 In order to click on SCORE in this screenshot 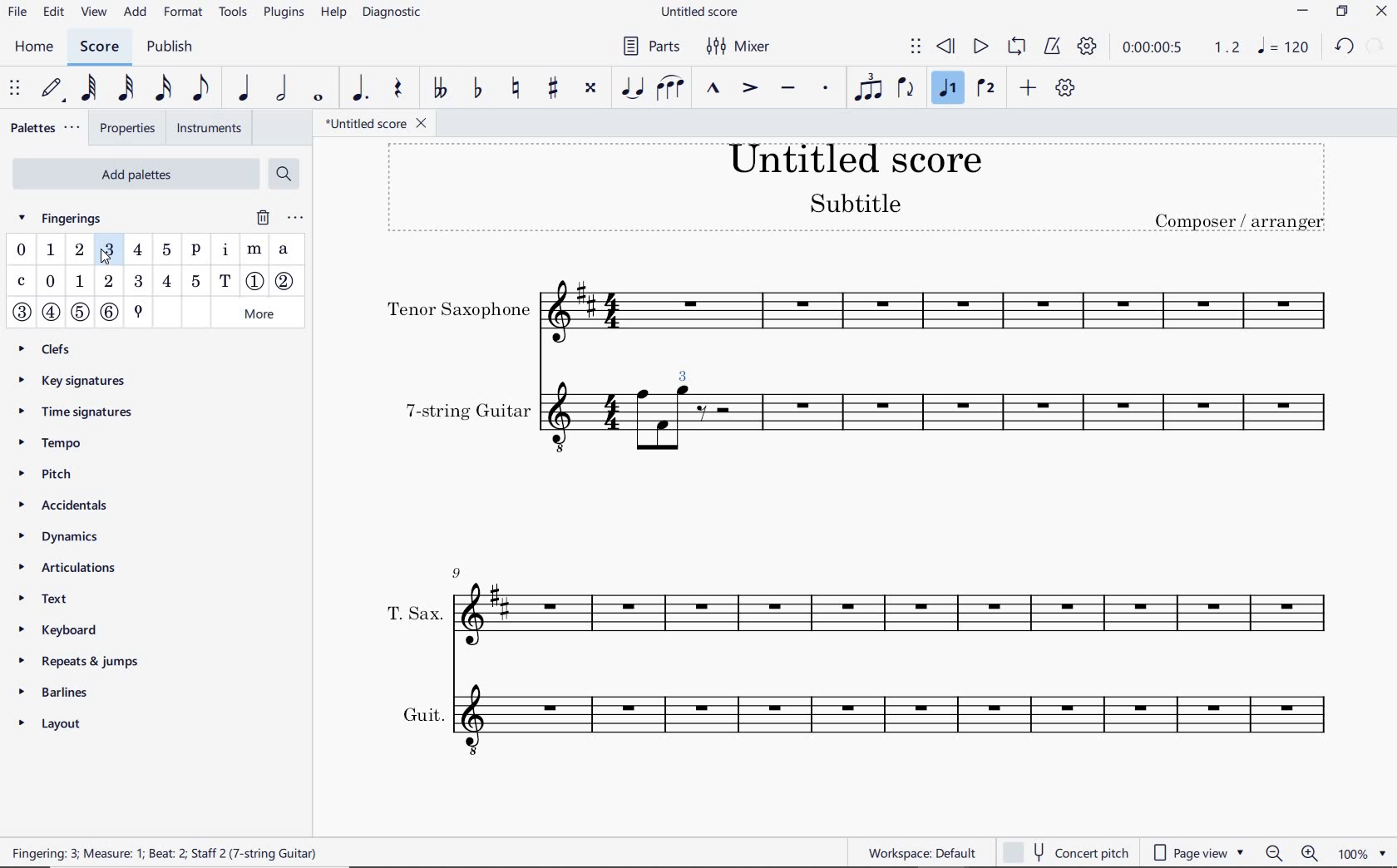, I will do `click(98, 47)`.